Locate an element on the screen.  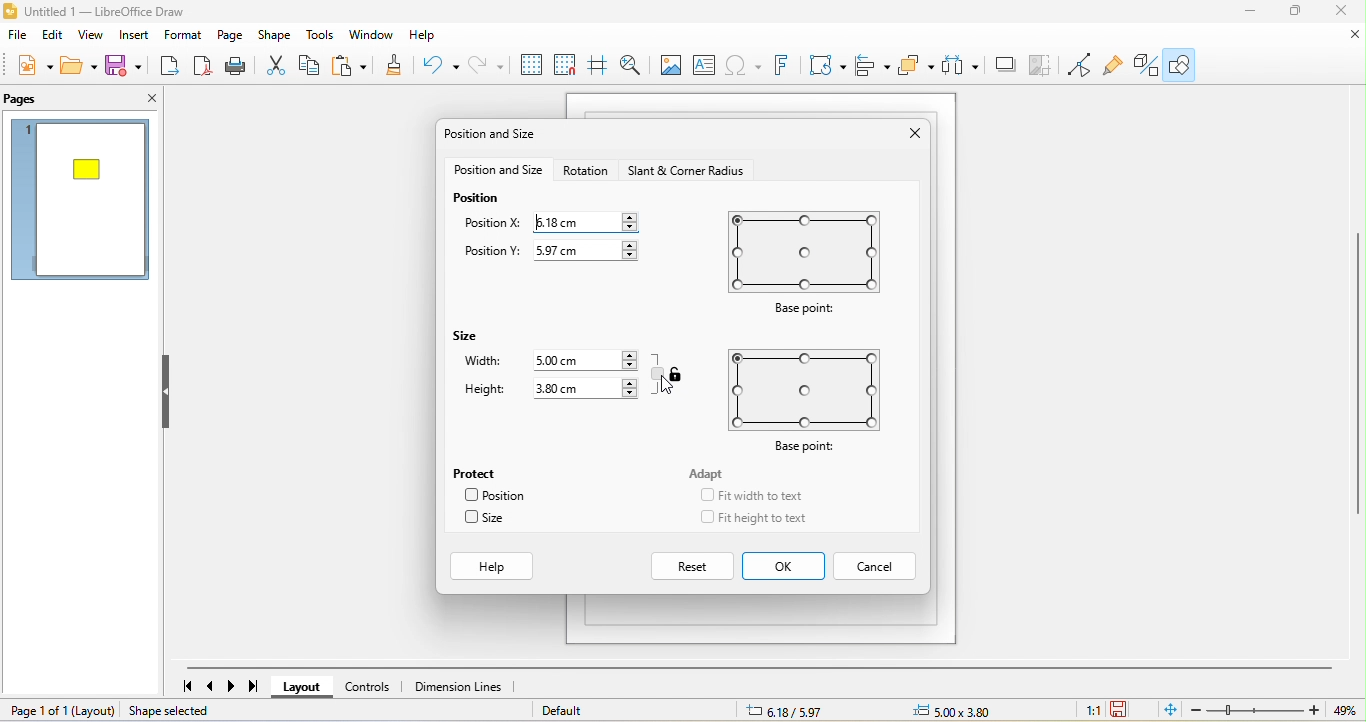
hide is located at coordinates (168, 394).